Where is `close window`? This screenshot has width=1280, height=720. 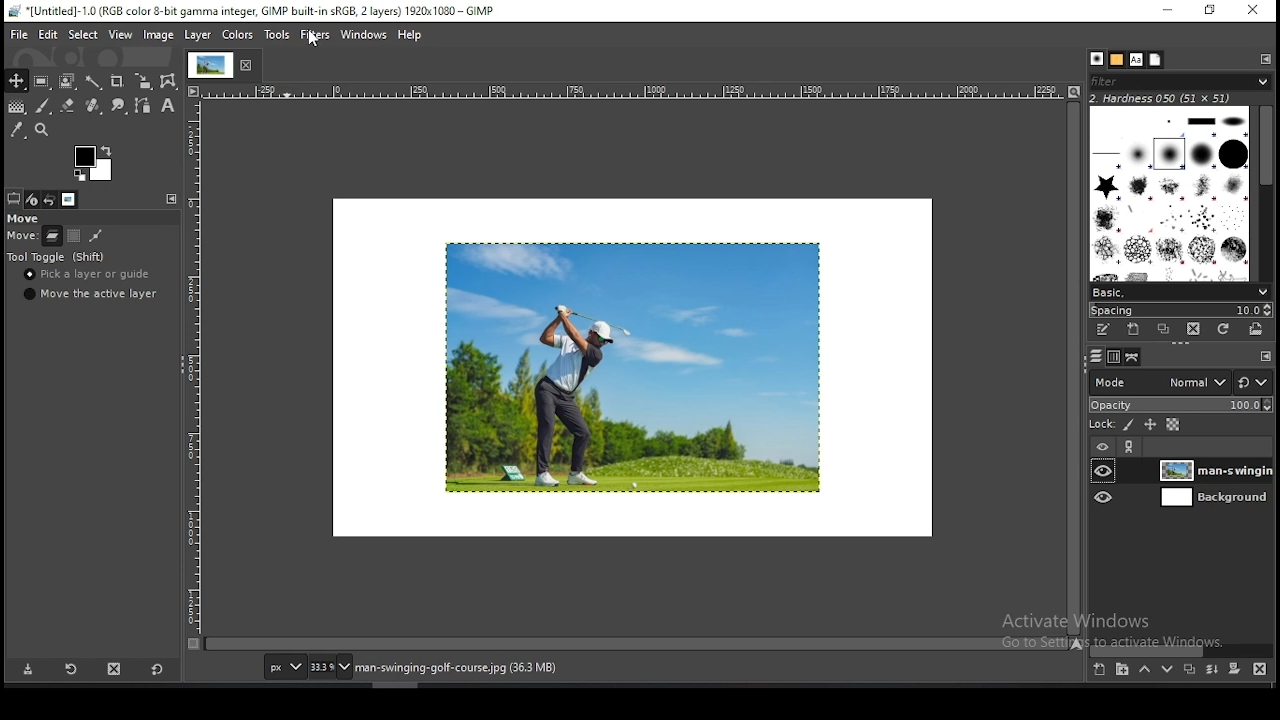
close window is located at coordinates (1253, 10).